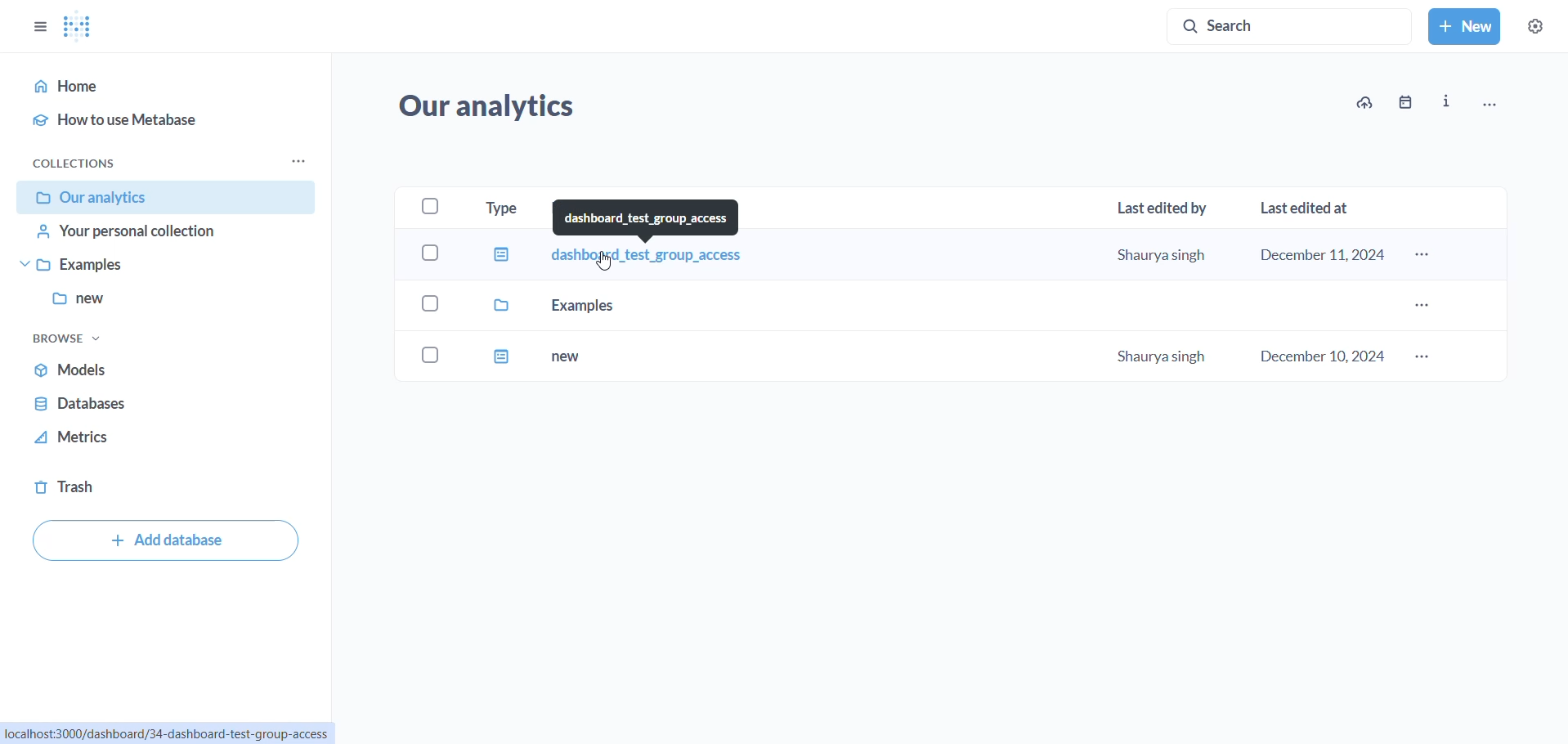  I want to click on upload, so click(1369, 105).